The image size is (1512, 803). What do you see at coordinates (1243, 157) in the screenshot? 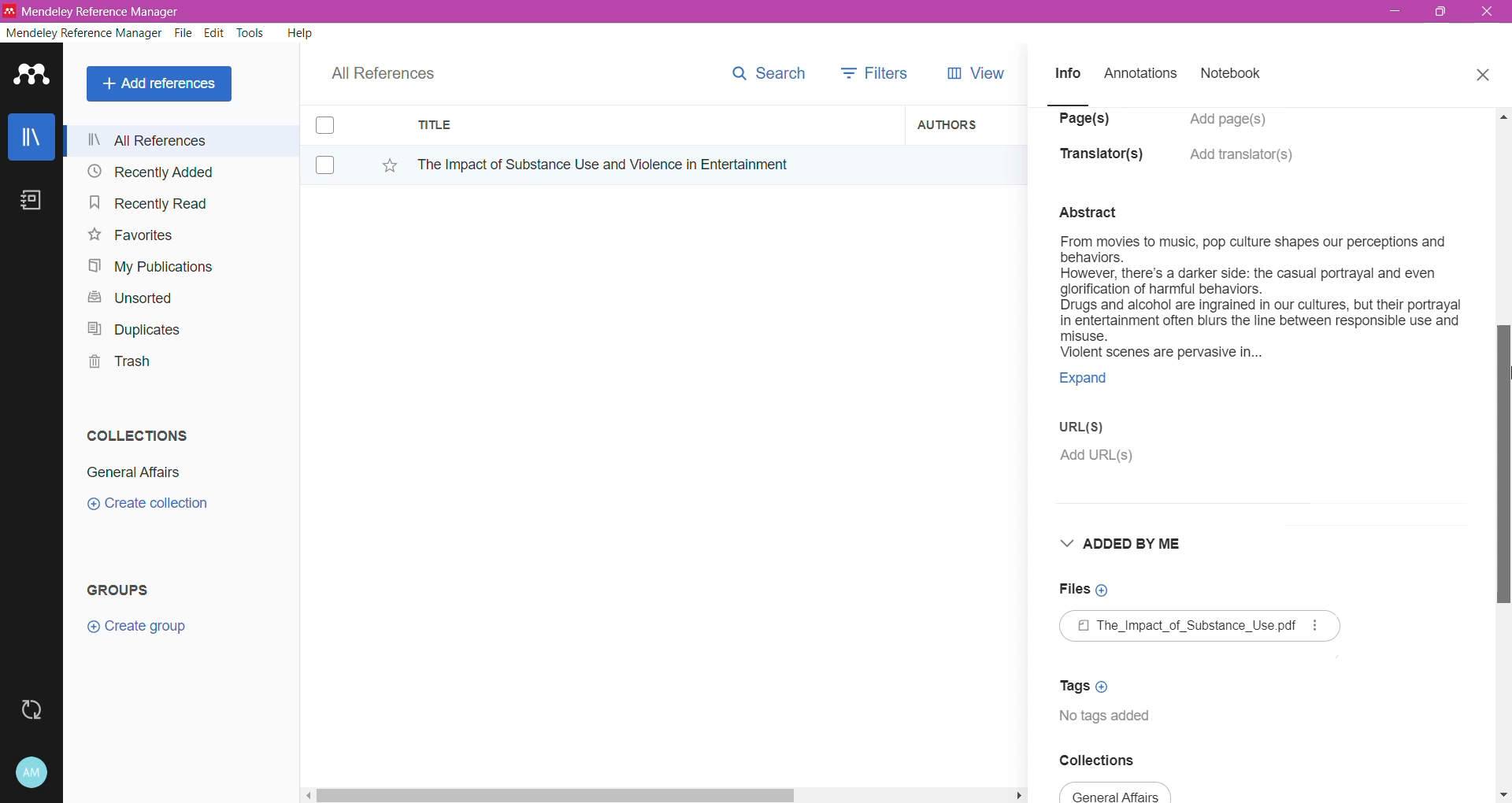
I see `Click to Add translators` at bounding box center [1243, 157].